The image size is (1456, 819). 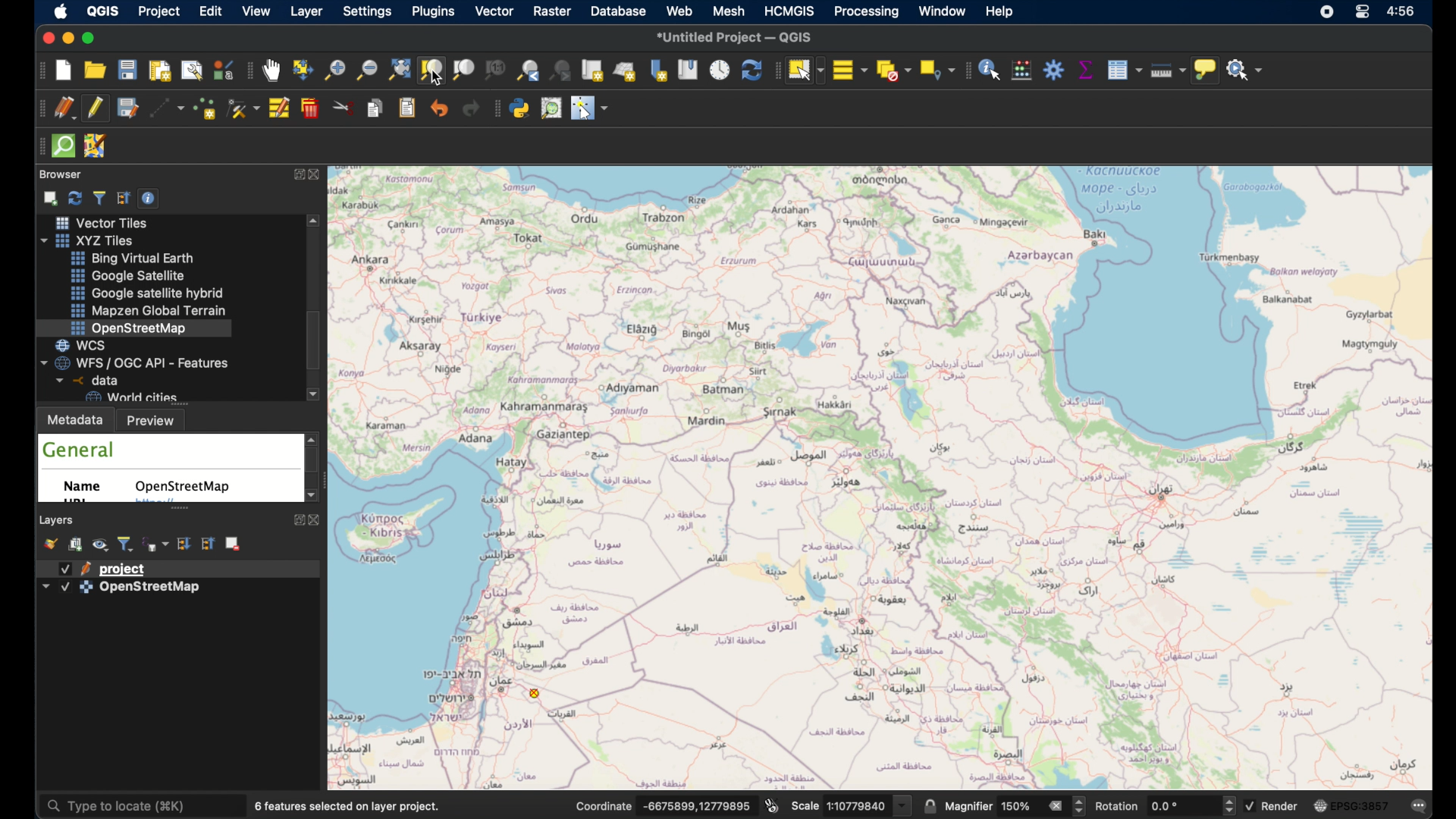 What do you see at coordinates (850, 69) in the screenshot?
I see `select all features` at bounding box center [850, 69].